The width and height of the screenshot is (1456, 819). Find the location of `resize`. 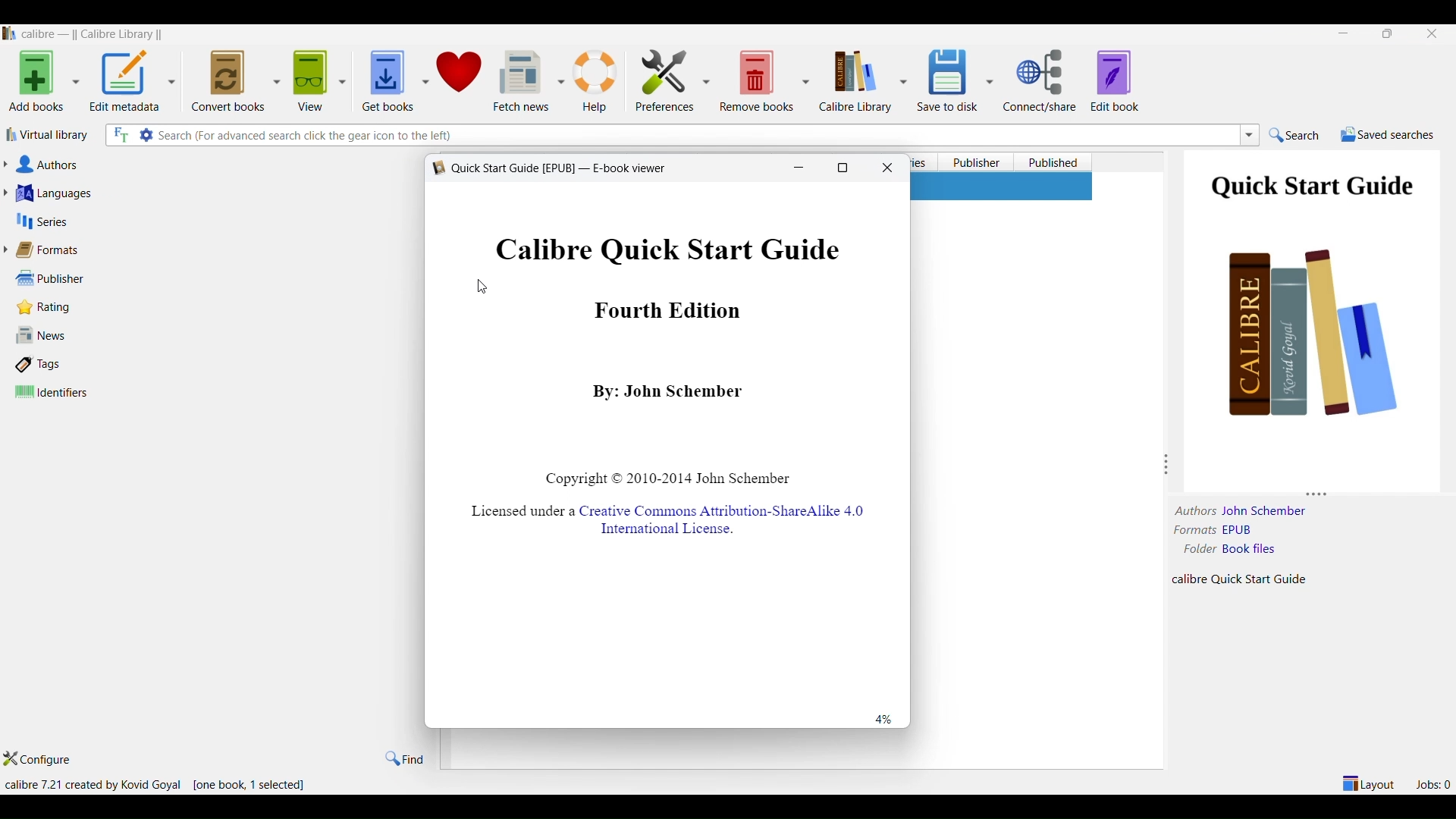

resize is located at coordinates (1167, 464).